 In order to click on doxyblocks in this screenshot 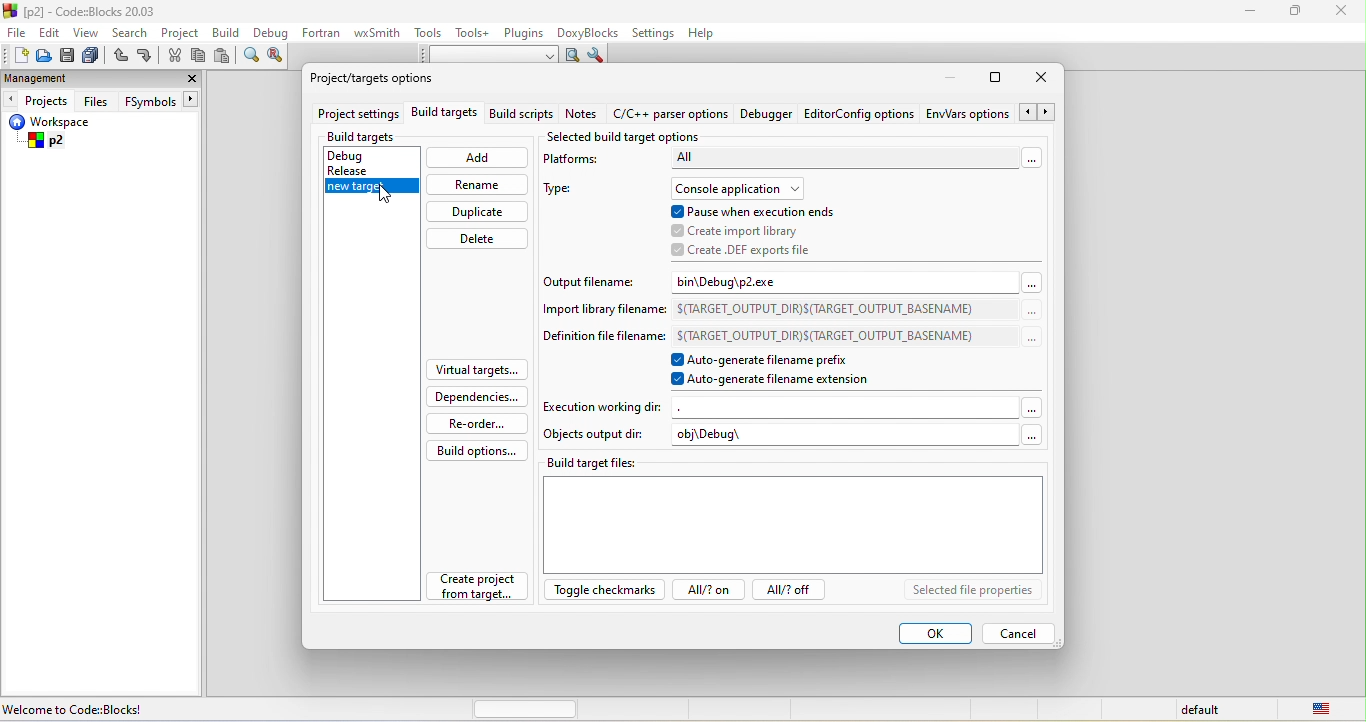, I will do `click(591, 32)`.